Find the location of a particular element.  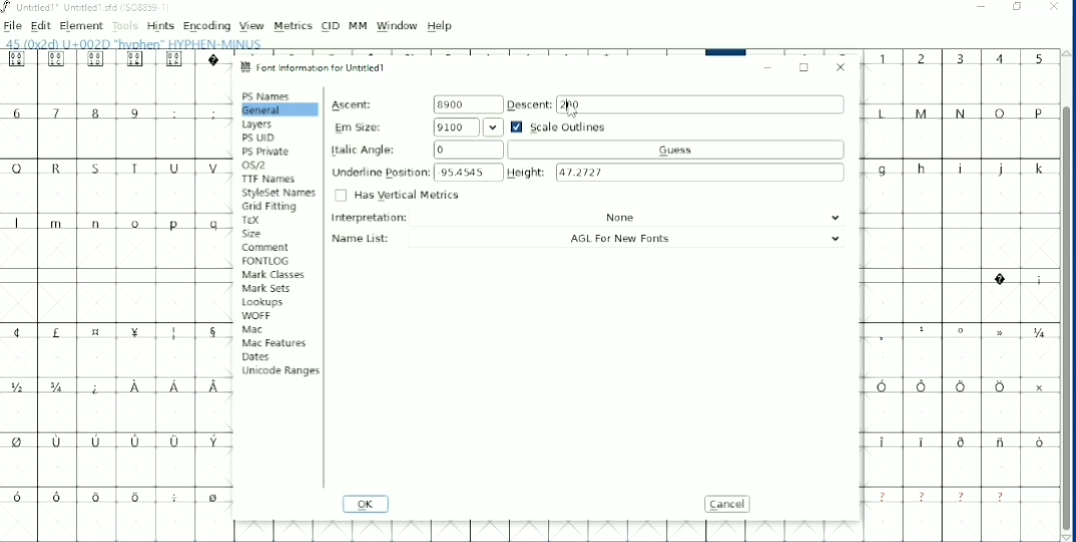

OS/2 is located at coordinates (256, 166).